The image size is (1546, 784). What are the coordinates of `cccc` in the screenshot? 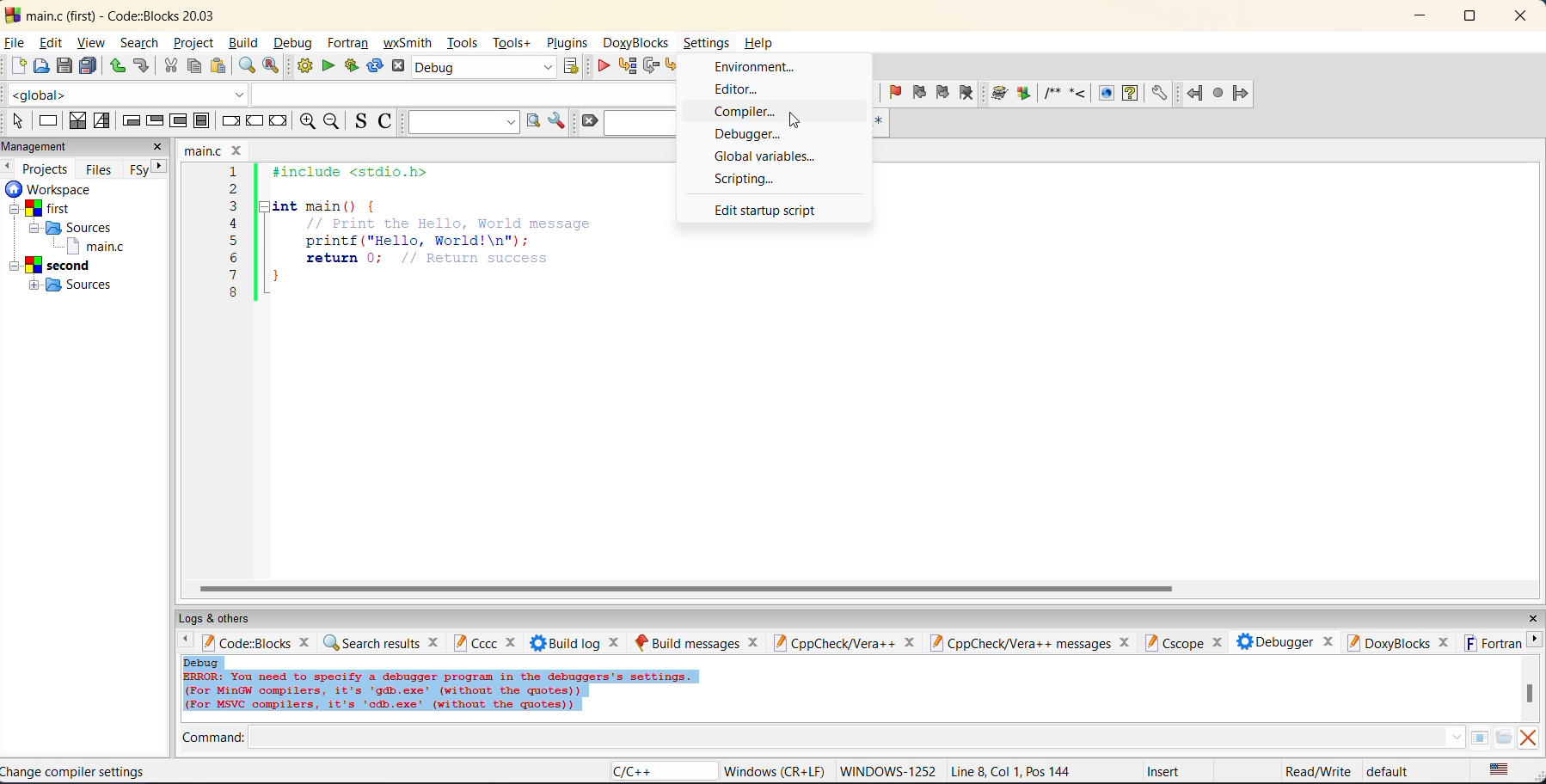 It's located at (485, 642).